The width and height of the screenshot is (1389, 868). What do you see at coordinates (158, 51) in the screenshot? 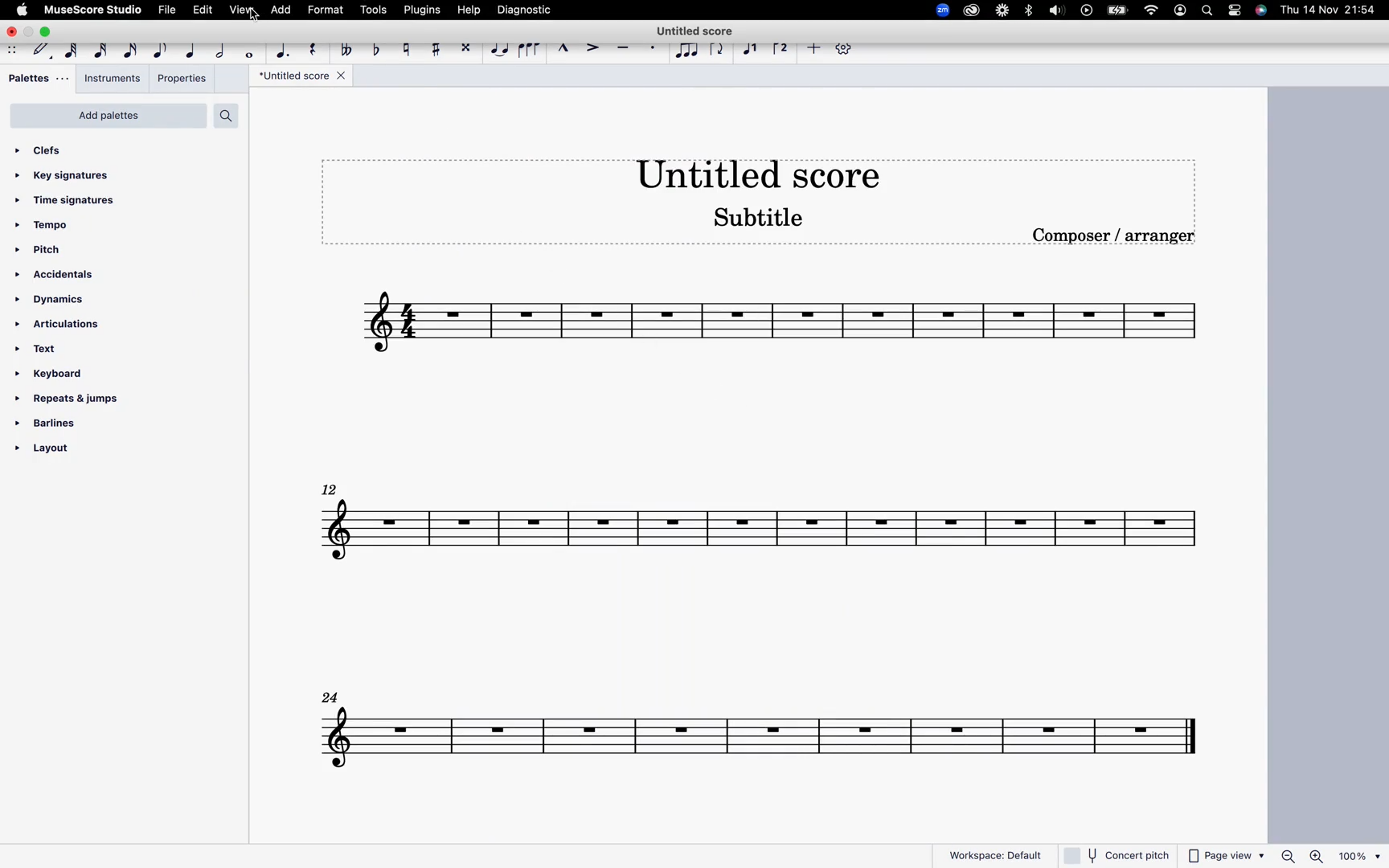
I see `eight note` at bounding box center [158, 51].